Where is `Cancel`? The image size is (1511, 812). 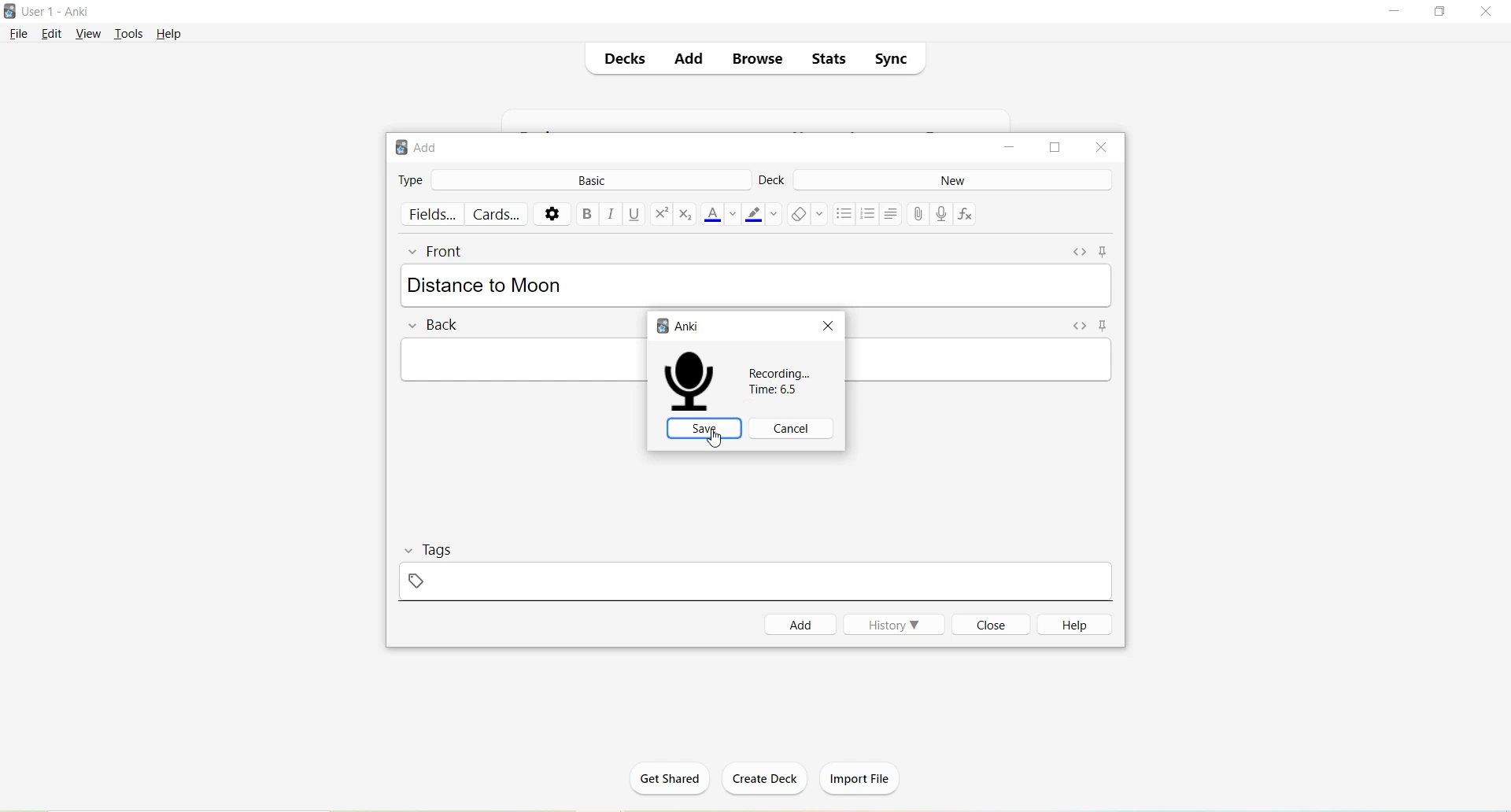 Cancel is located at coordinates (790, 429).